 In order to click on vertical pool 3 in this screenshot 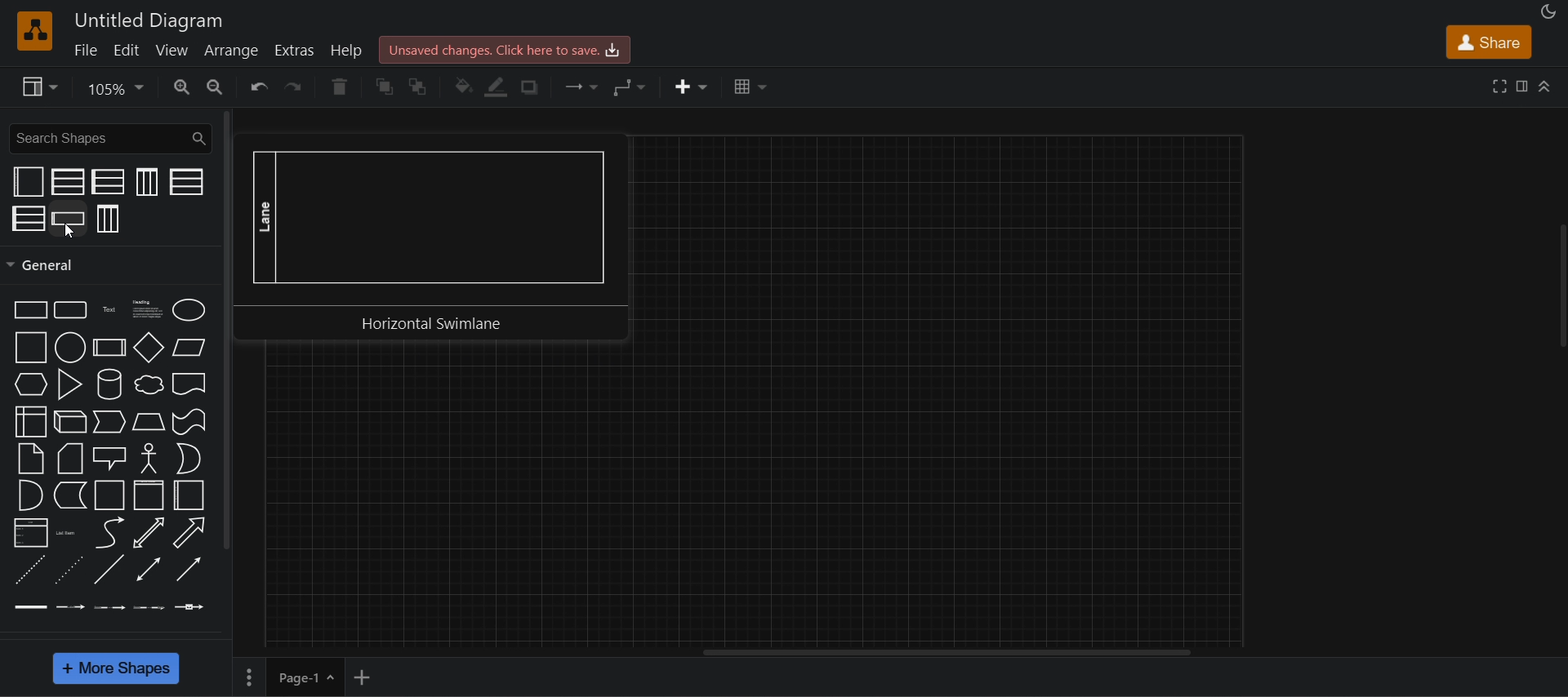, I will do `click(109, 219)`.